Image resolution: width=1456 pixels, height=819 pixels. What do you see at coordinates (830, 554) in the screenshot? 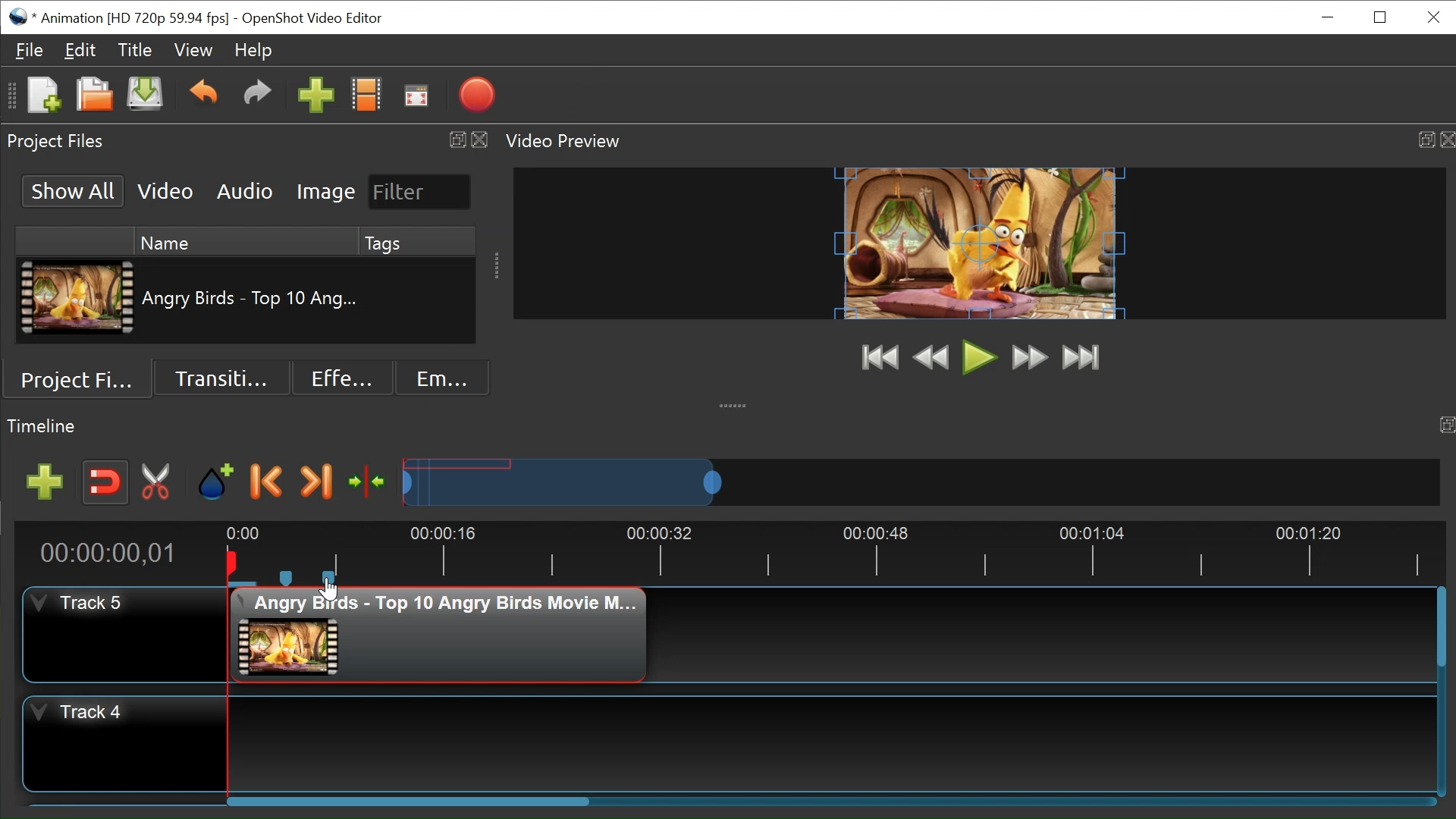
I see `Timeline` at bounding box center [830, 554].